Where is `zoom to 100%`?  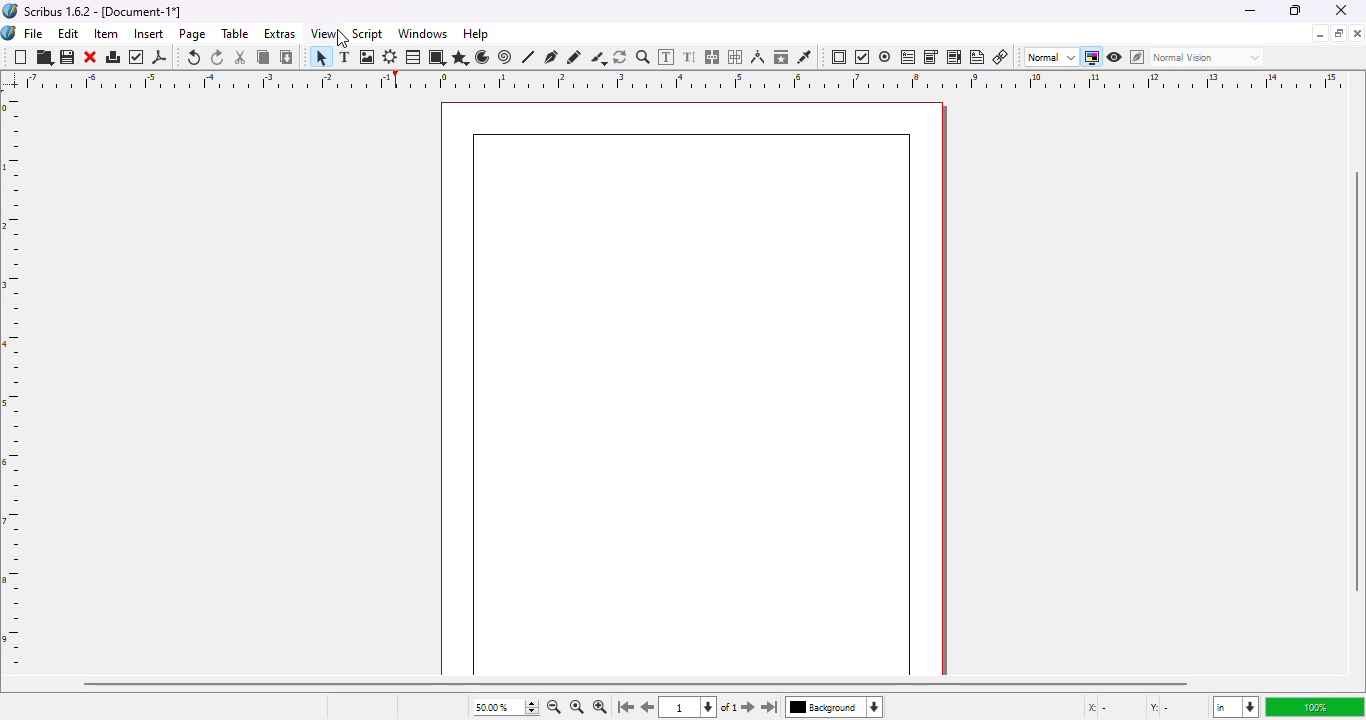
zoom to 100% is located at coordinates (575, 708).